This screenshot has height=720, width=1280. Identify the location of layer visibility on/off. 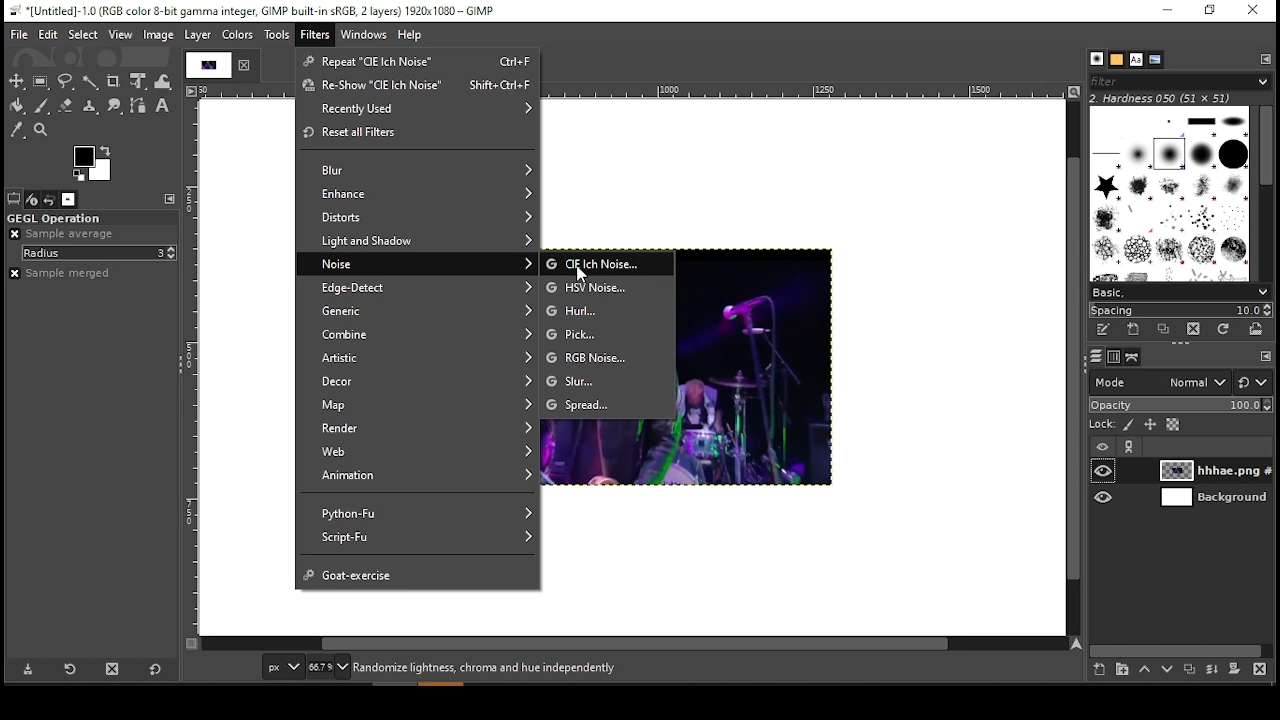
(1105, 471).